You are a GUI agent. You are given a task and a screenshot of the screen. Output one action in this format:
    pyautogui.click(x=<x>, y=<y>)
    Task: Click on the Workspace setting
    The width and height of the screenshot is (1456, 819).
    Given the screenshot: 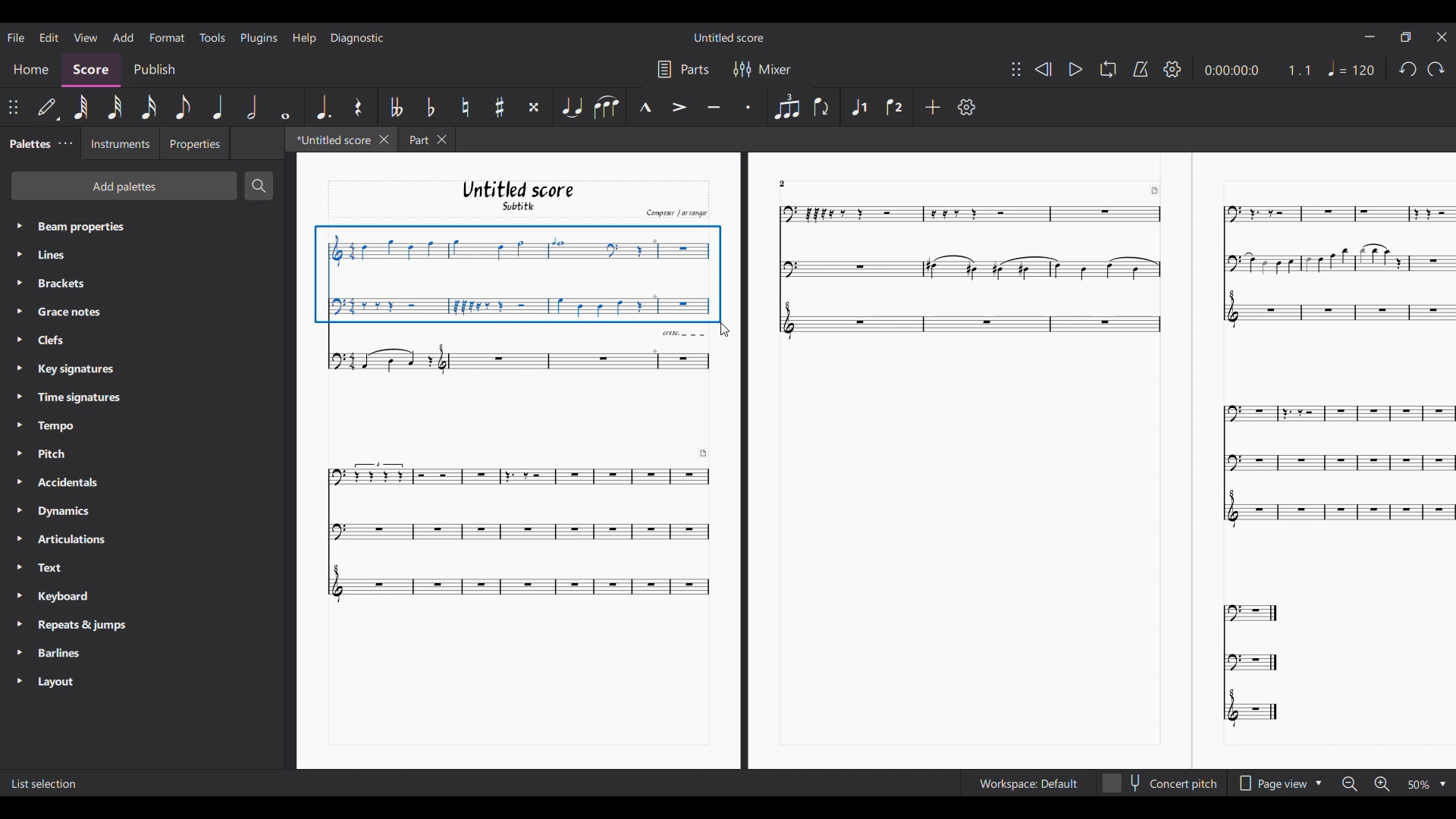 What is the action you would take?
    pyautogui.click(x=1028, y=783)
    